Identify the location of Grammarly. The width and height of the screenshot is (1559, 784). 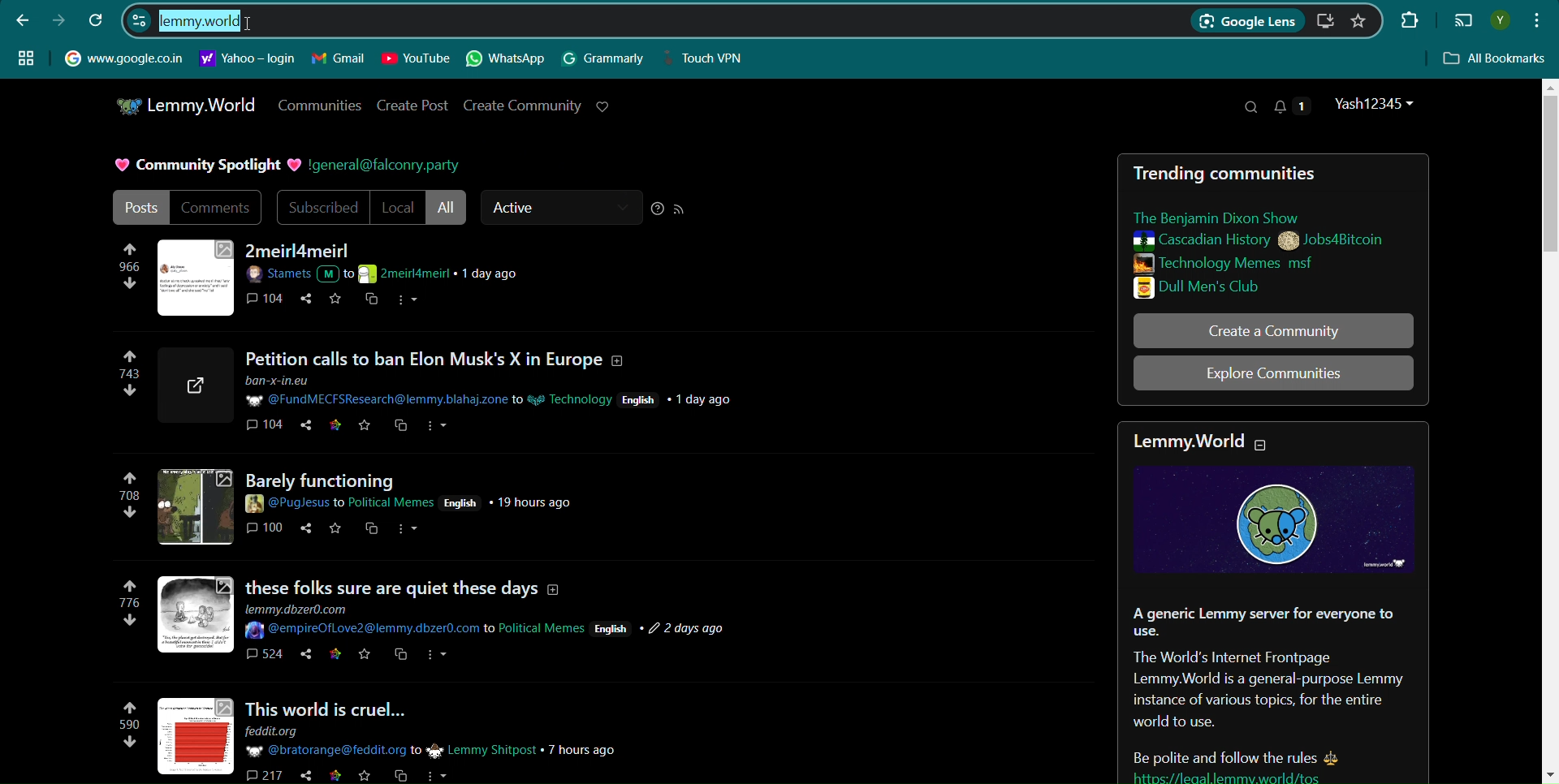
(604, 58).